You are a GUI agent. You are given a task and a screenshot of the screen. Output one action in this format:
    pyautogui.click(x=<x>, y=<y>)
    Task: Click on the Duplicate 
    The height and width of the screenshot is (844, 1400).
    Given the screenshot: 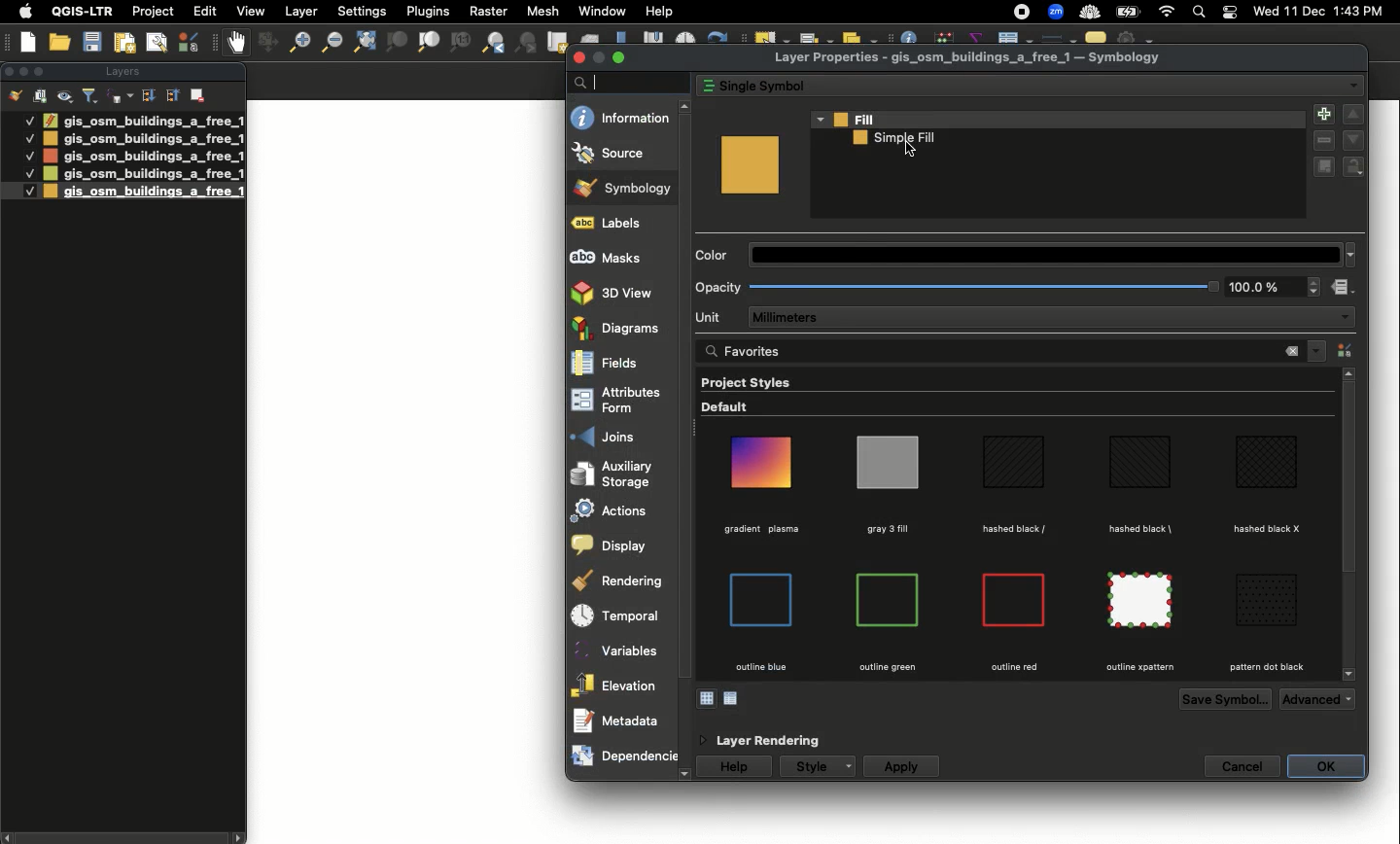 What is the action you would take?
    pyautogui.click(x=1324, y=168)
    